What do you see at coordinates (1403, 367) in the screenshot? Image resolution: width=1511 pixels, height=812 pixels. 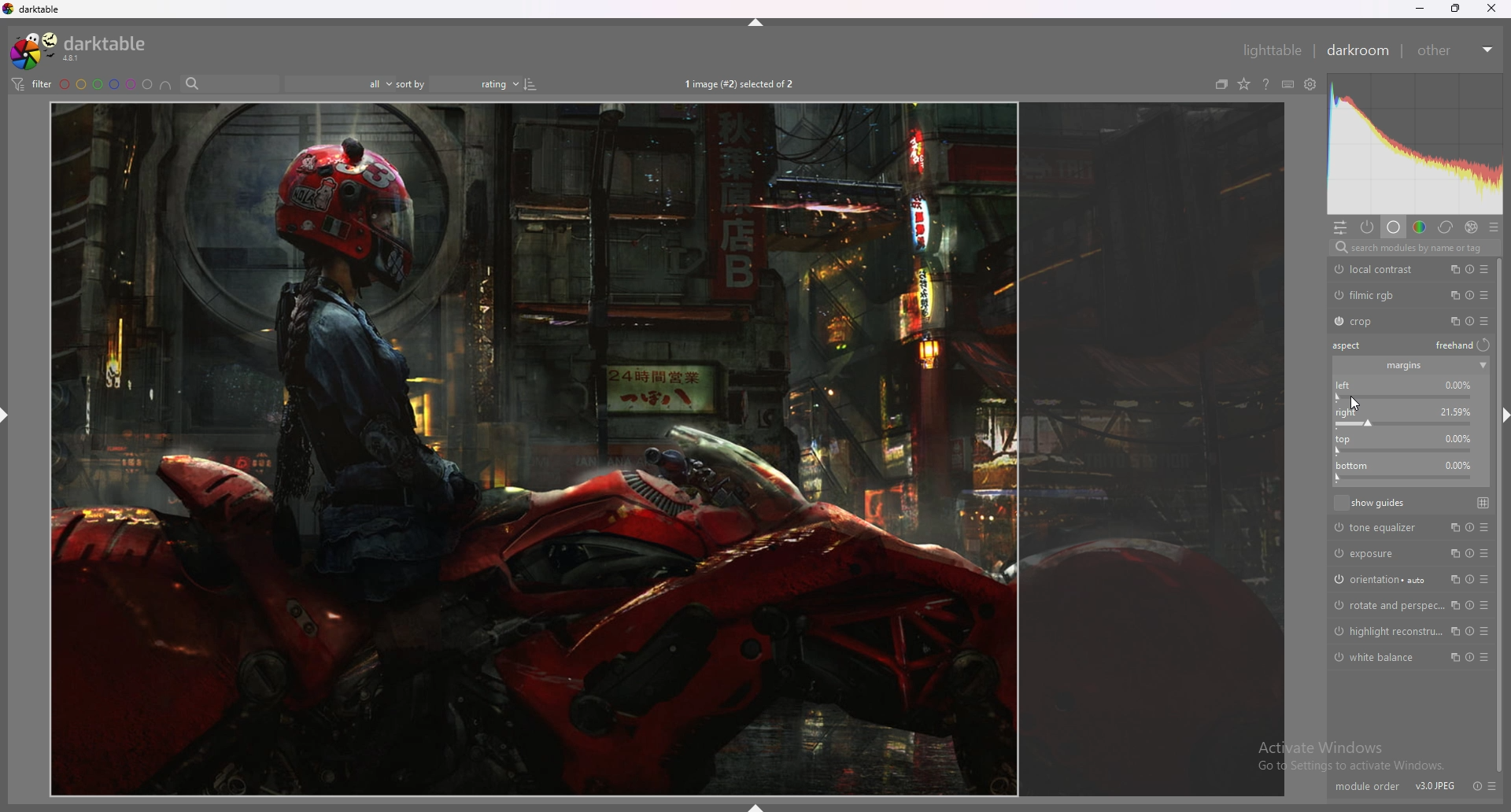 I see `margins` at bounding box center [1403, 367].